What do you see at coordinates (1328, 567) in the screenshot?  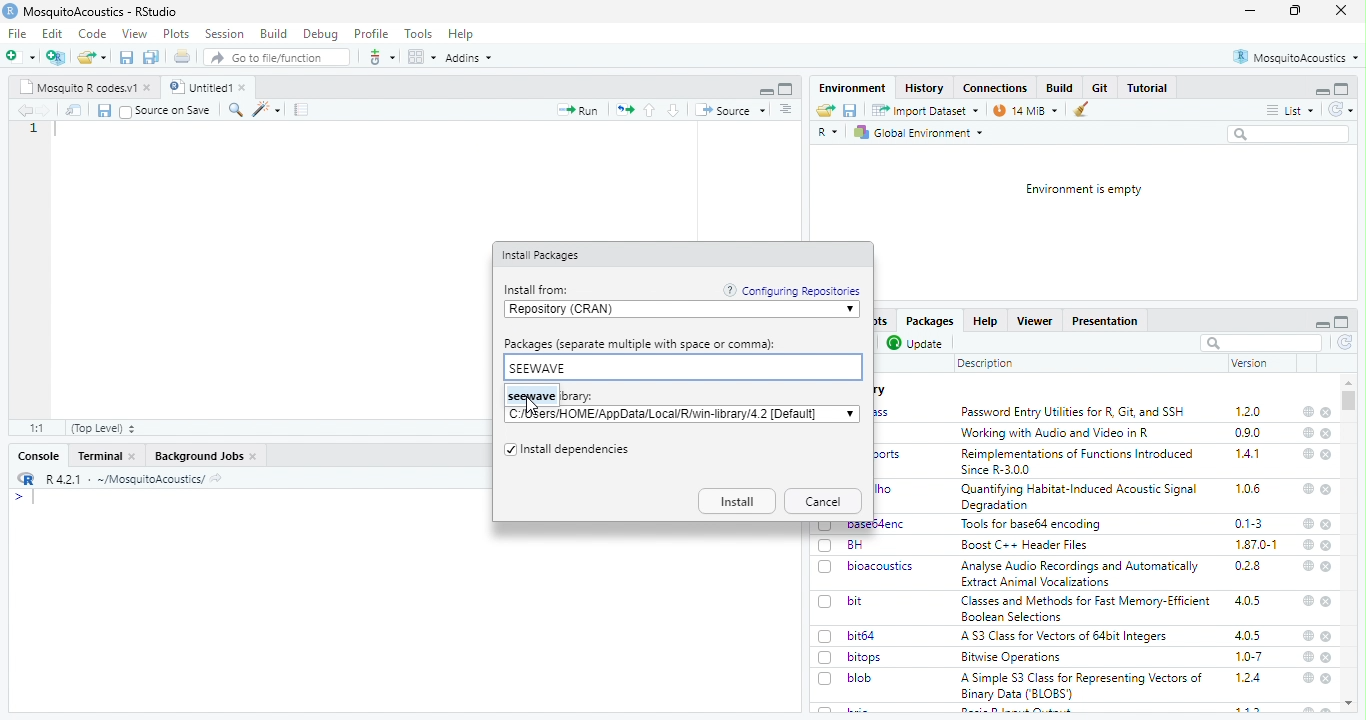 I see `close` at bounding box center [1328, 567].